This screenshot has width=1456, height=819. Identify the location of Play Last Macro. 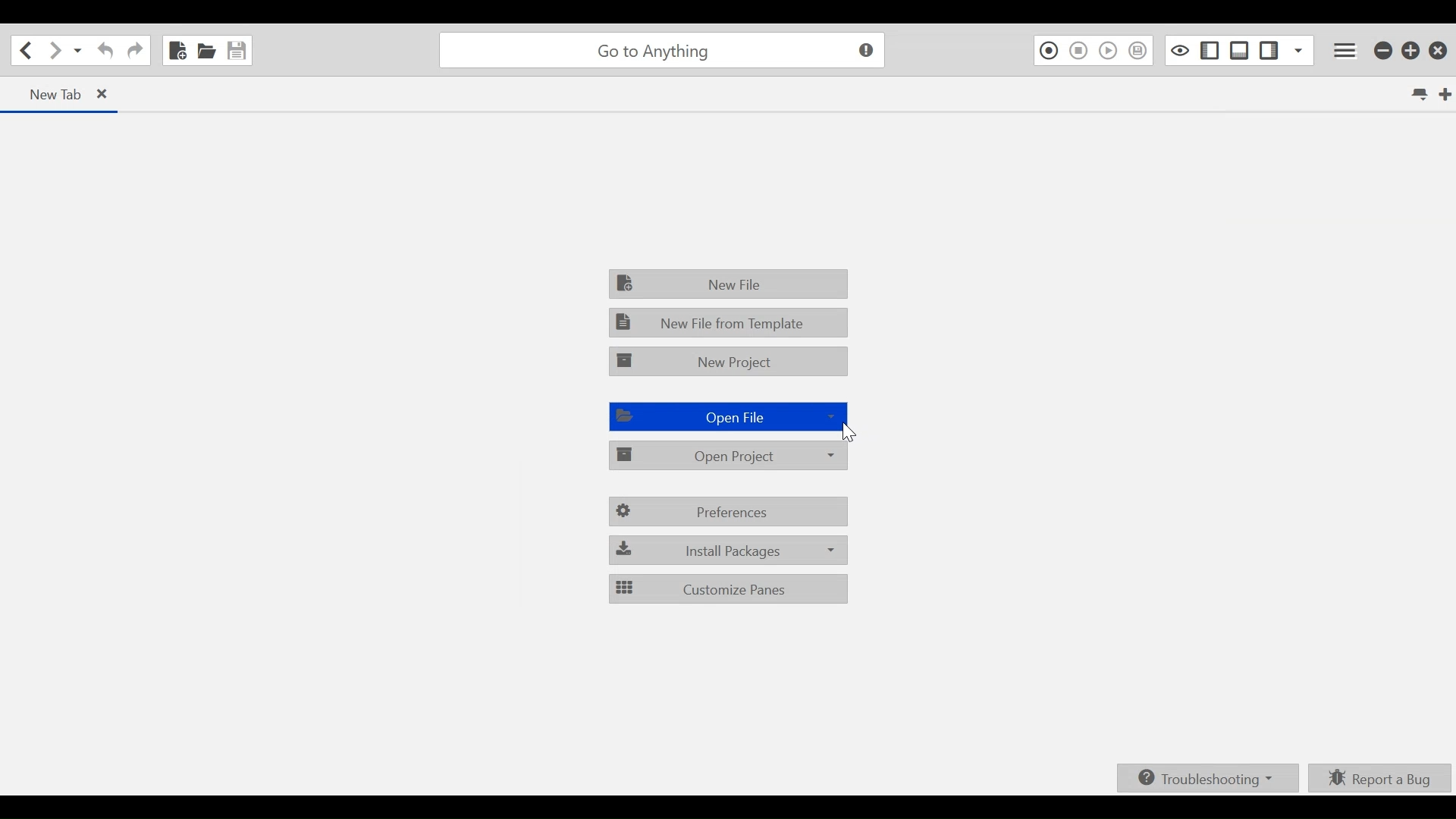
(1108, 50).